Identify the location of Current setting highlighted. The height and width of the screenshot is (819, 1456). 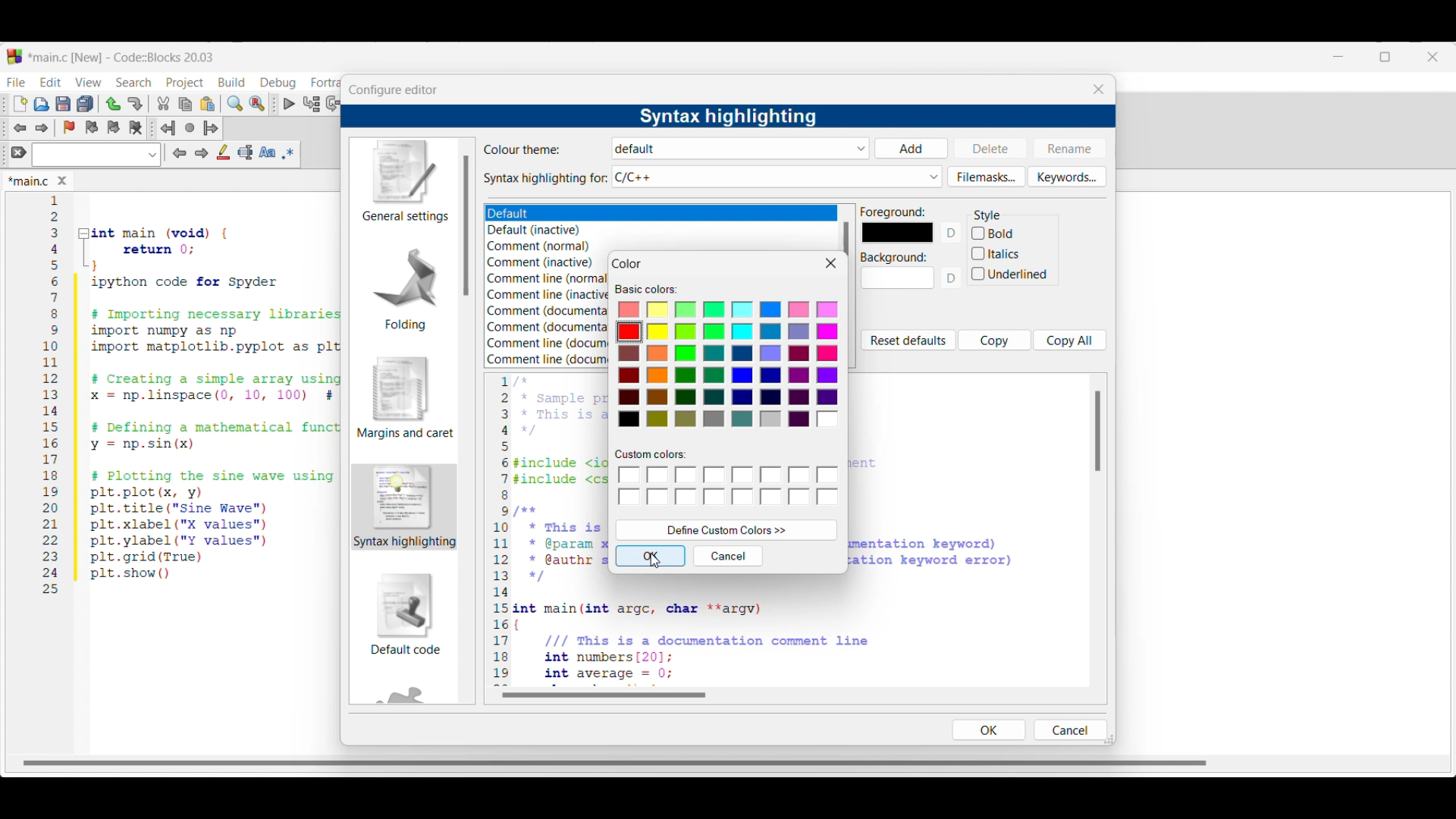
(405, 507).